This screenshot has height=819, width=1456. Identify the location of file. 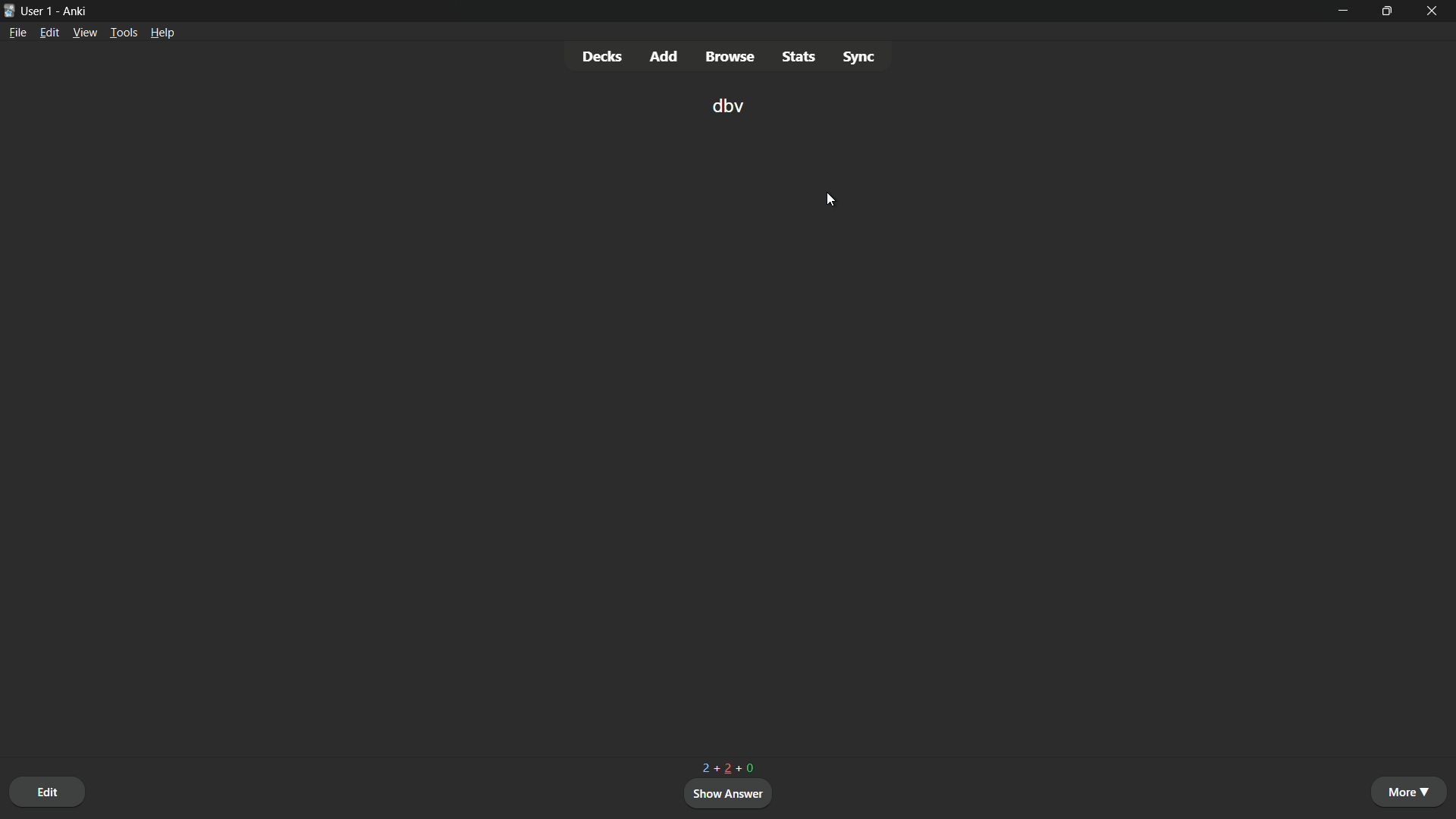
(17, 33).